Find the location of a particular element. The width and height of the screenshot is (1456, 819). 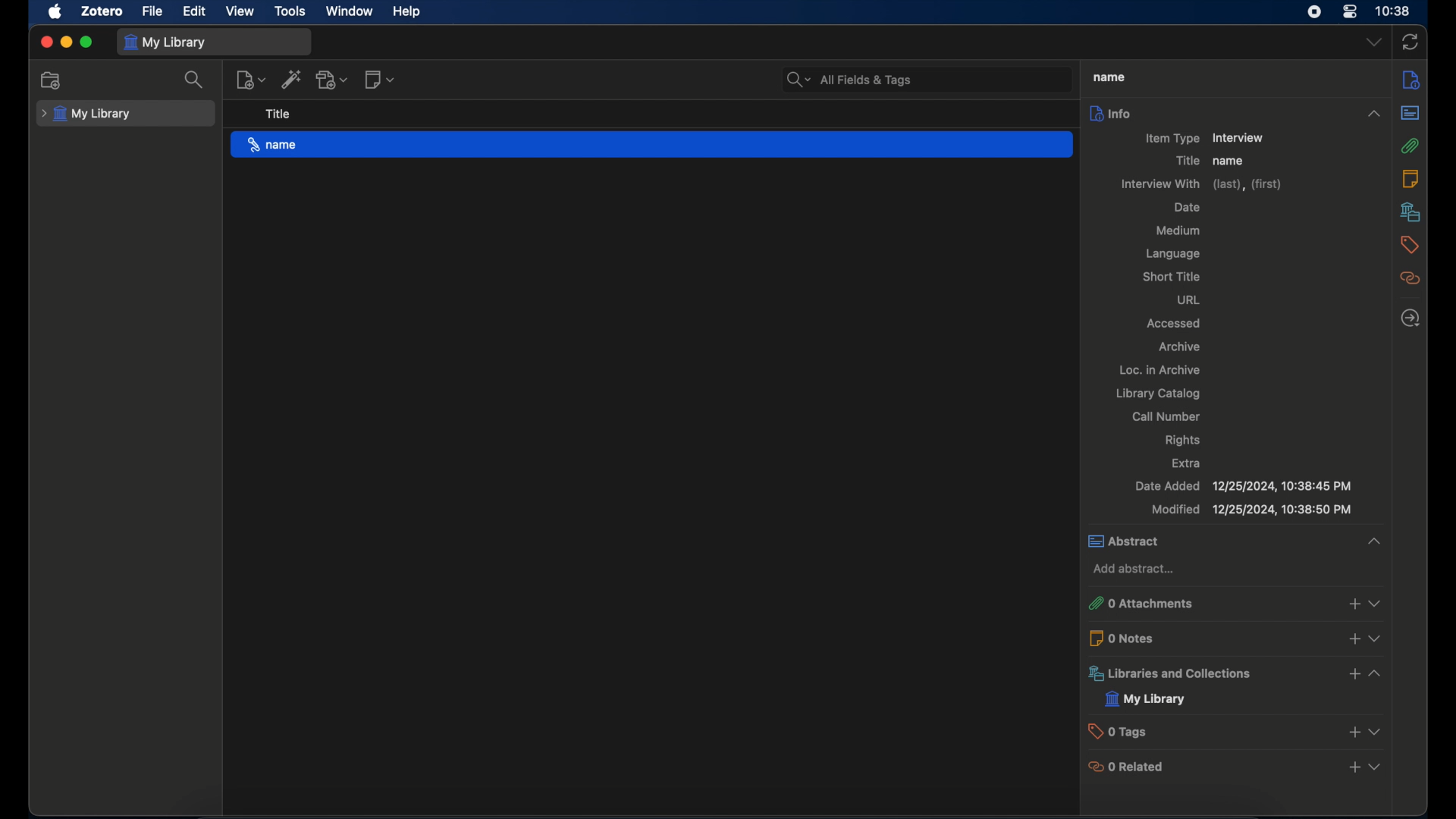

locate is located at coordinates (1410, 318).